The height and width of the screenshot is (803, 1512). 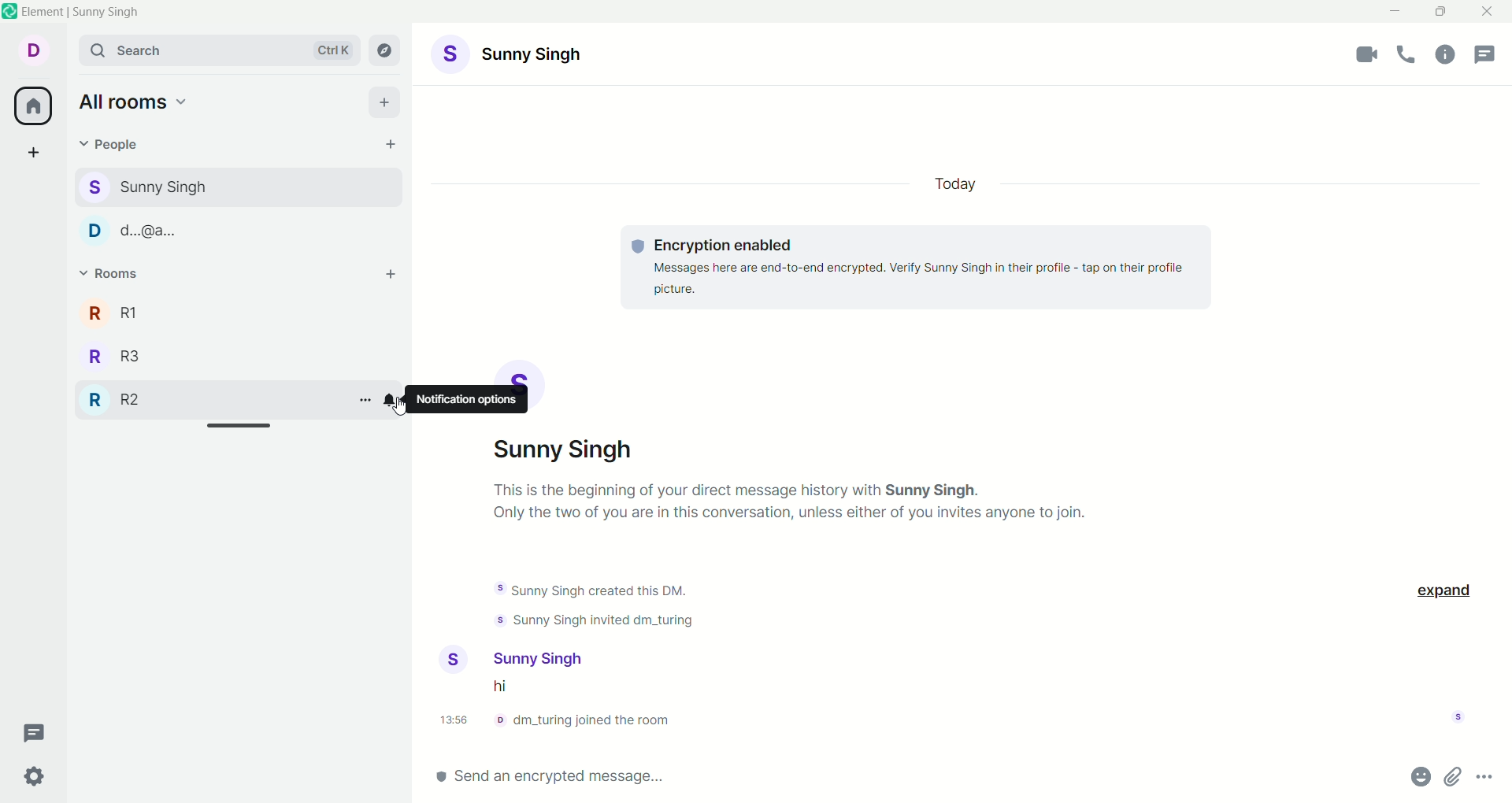 What do you see at coordinates (135, 229) in the screenshot?
I see `D` at bounding box center [135, 229].